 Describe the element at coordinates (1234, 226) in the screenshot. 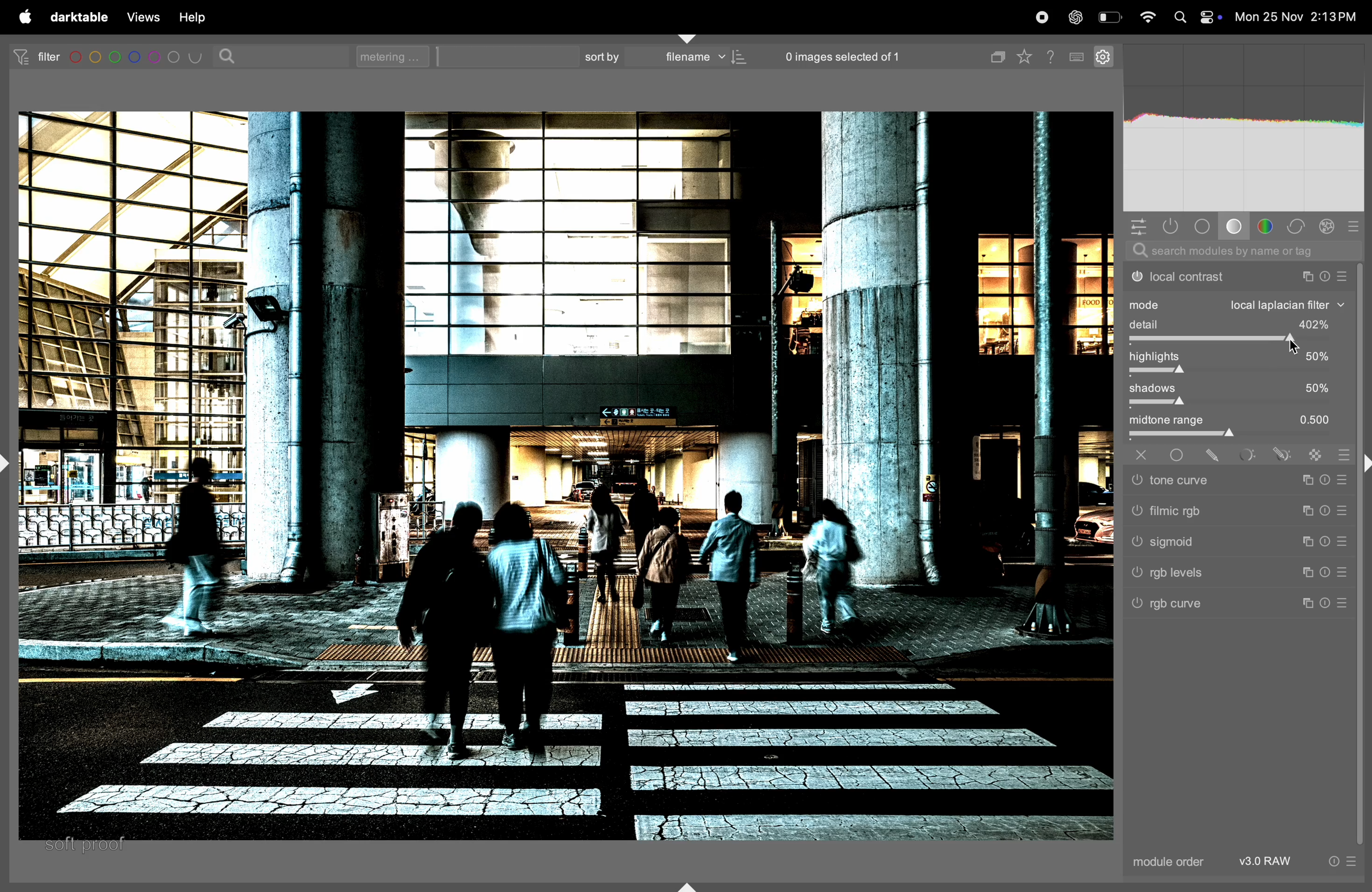

I see `base` at that location.